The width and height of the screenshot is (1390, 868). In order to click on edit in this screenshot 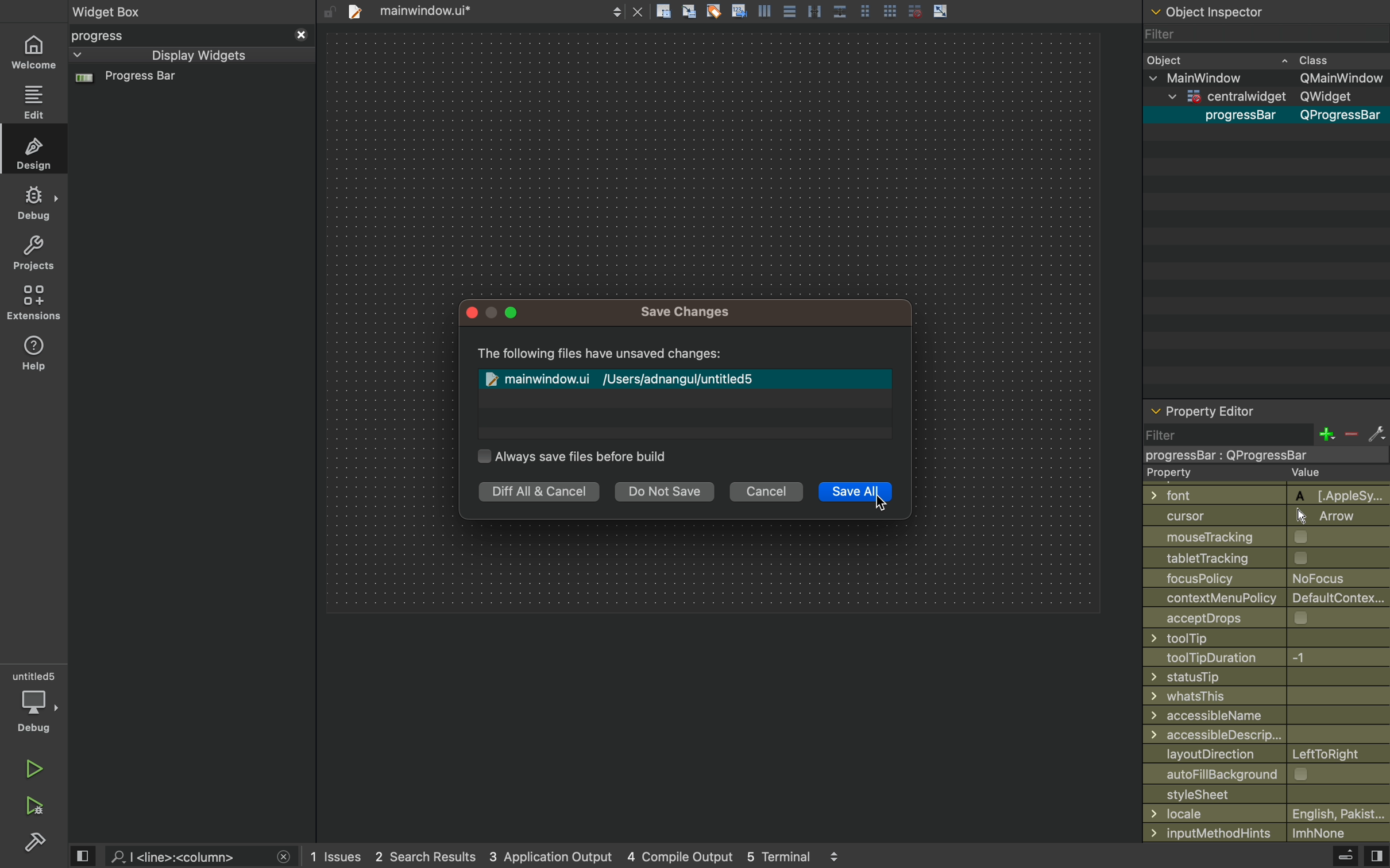, I will do `click(34, 102)`.